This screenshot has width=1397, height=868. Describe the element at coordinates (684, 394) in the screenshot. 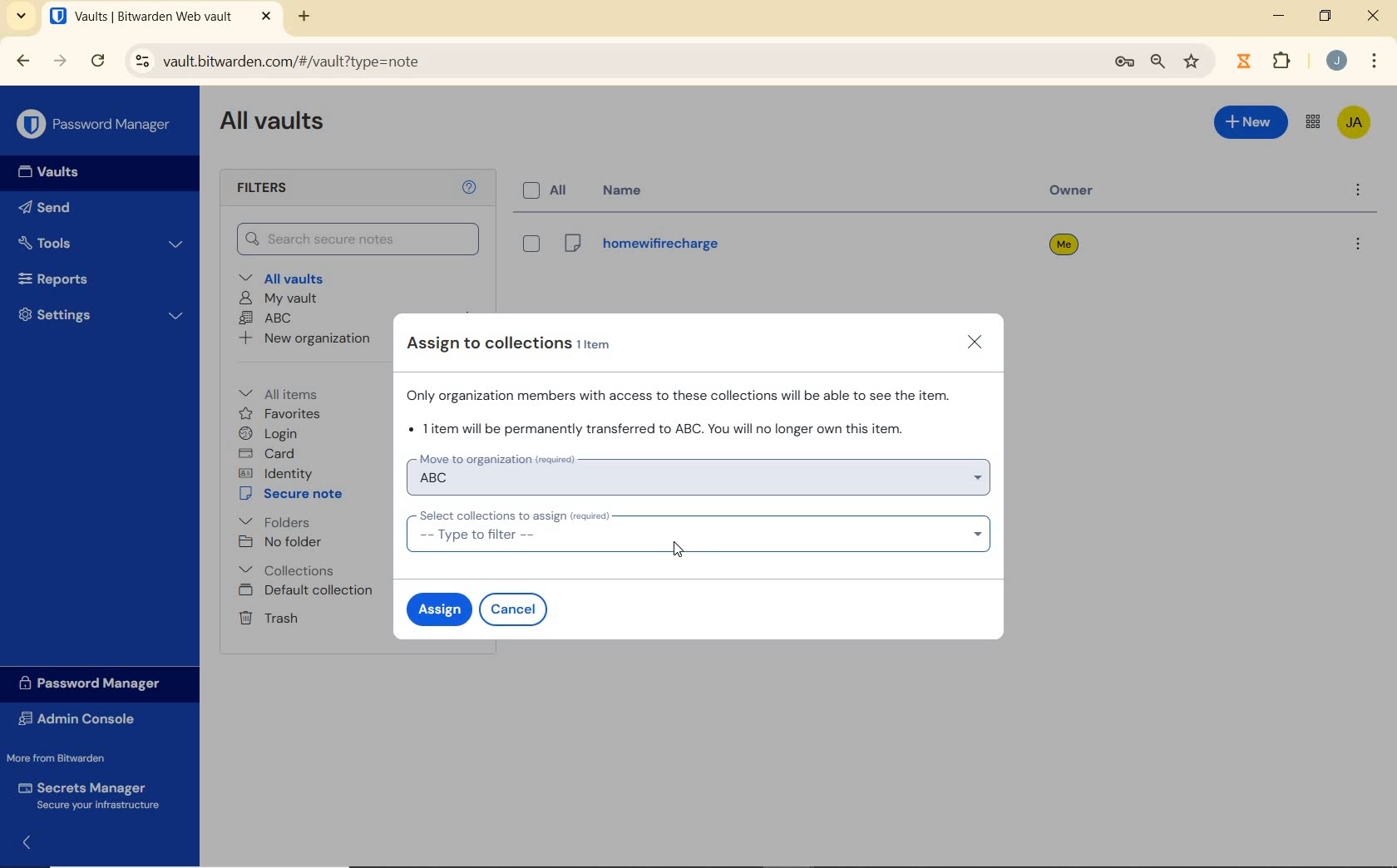

I see `Organization members will access these collections` at that location.